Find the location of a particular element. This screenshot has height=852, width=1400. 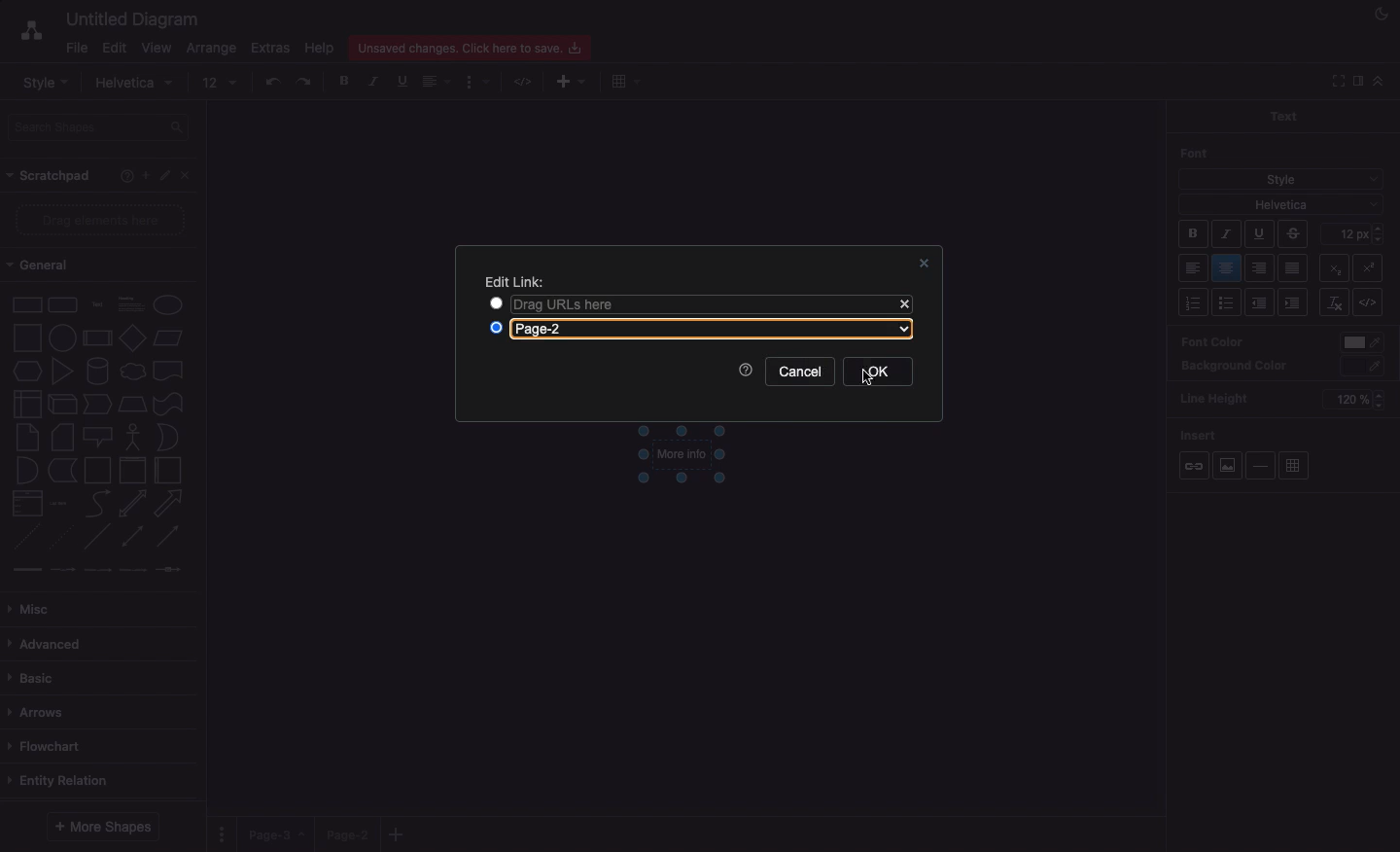

Style is located at coordinates (45, 82).